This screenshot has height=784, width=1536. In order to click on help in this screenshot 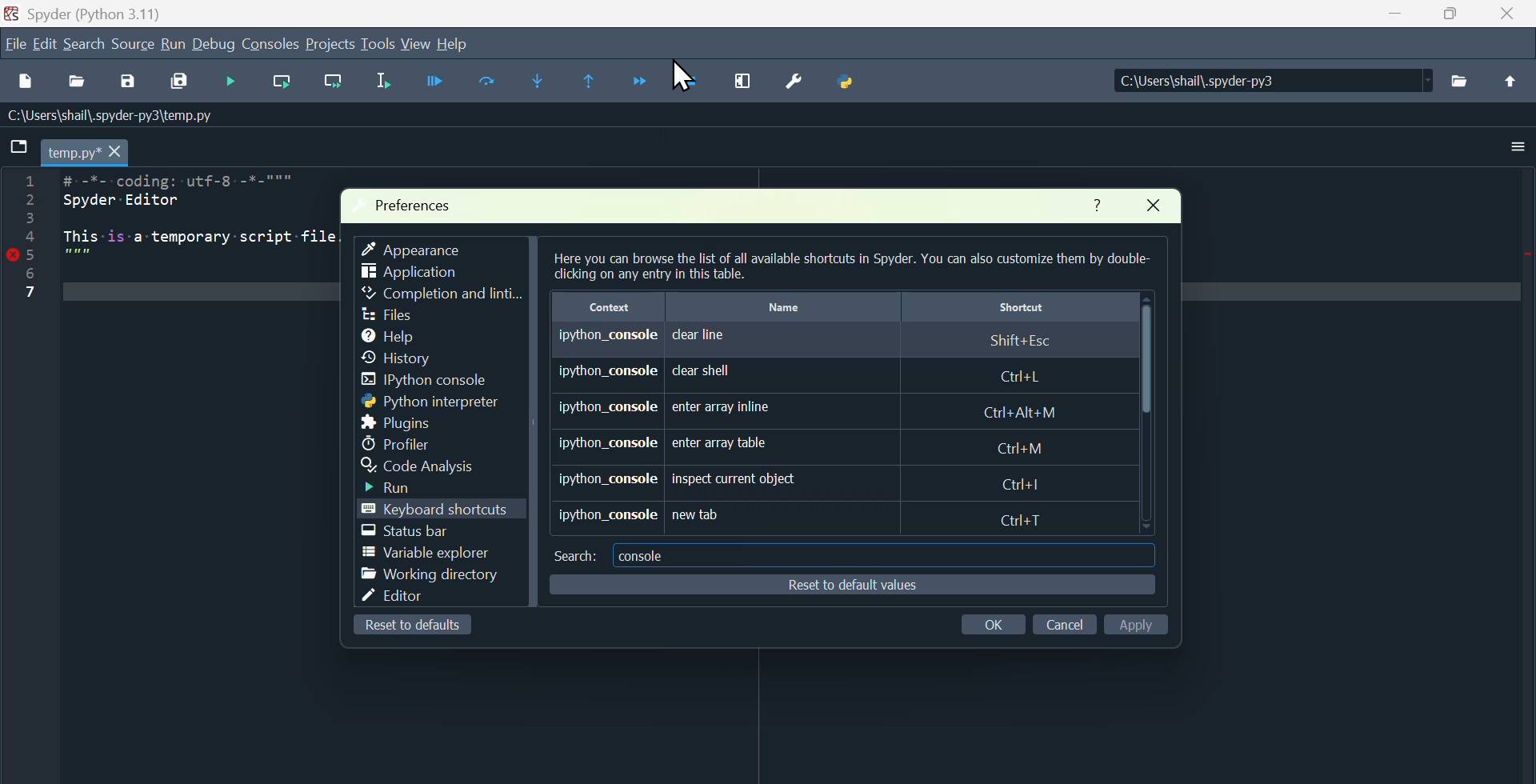, I will do `click(457, 44)`.